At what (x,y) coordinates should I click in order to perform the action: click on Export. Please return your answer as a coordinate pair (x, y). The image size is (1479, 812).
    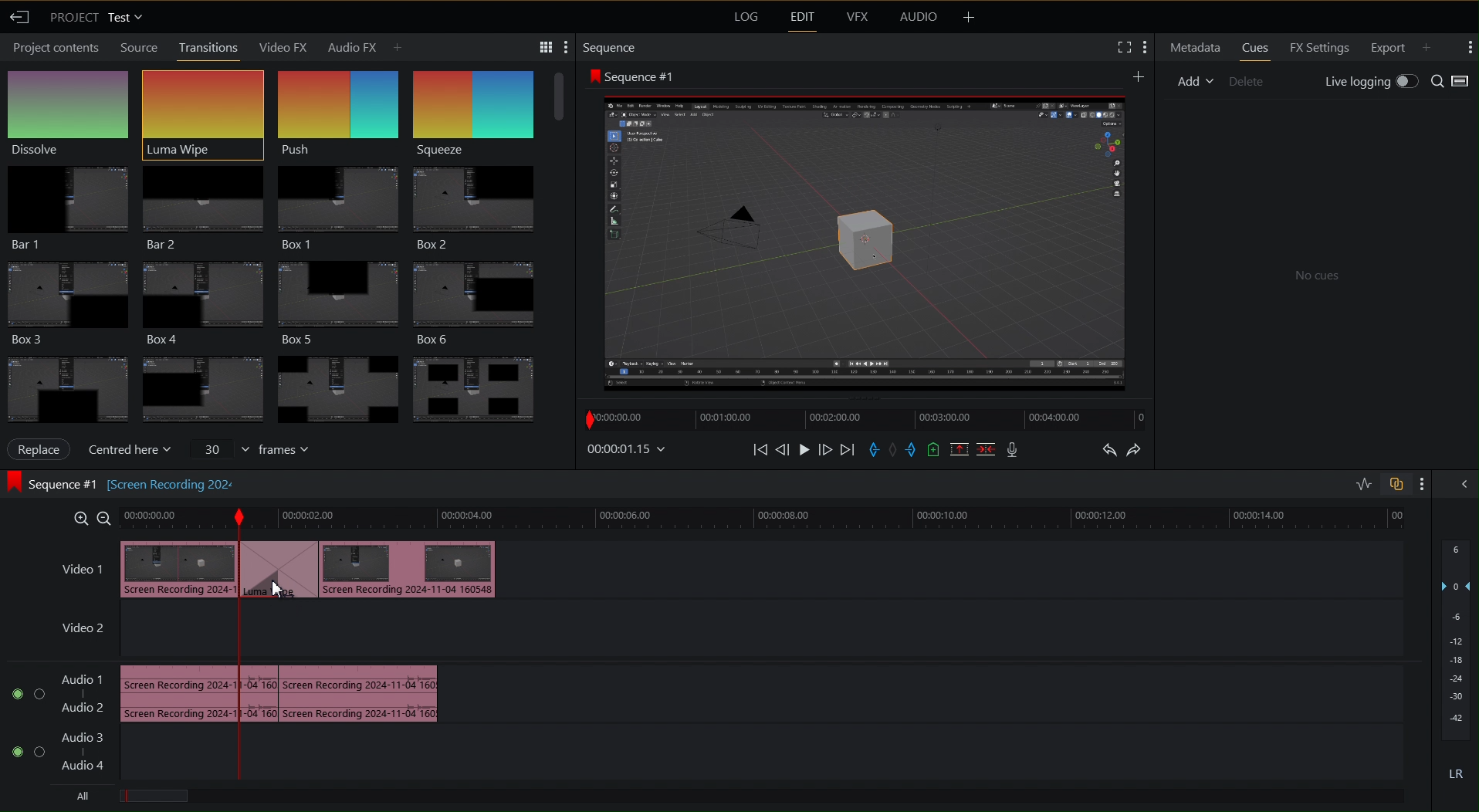
    Looking at the image, I should click on (1388, 48).